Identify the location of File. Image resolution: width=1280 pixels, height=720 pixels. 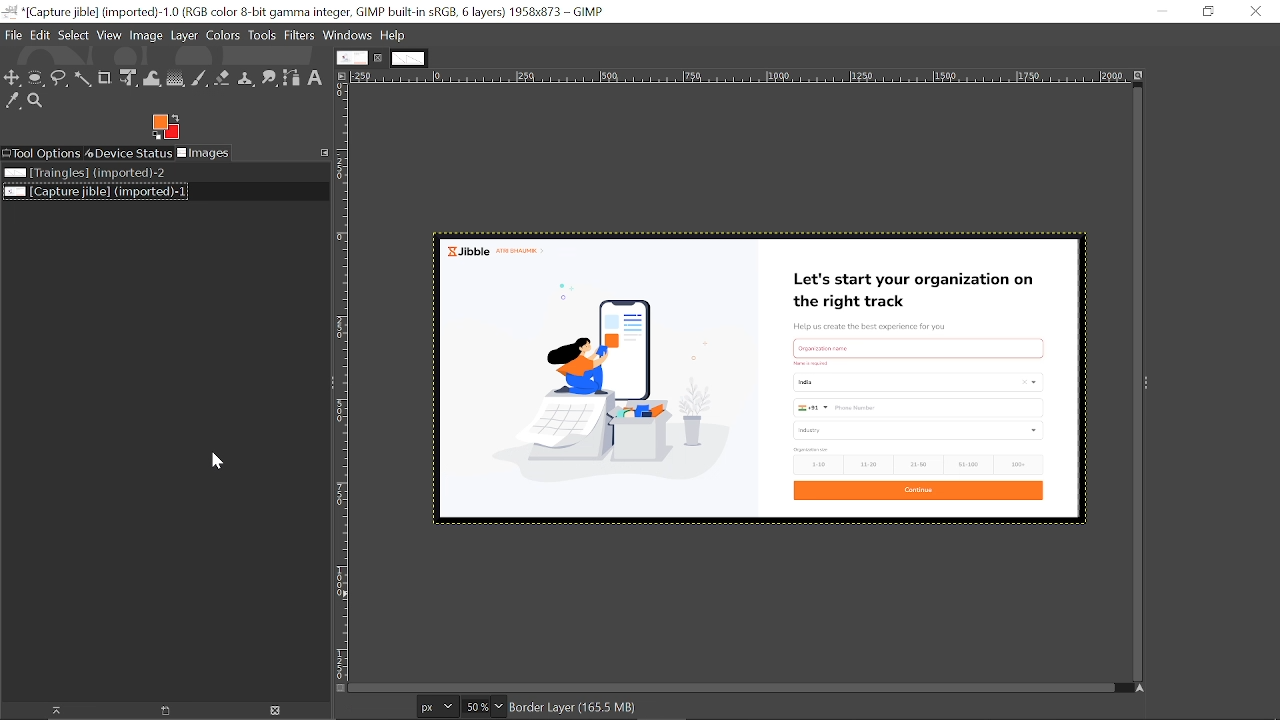
(14, 35).